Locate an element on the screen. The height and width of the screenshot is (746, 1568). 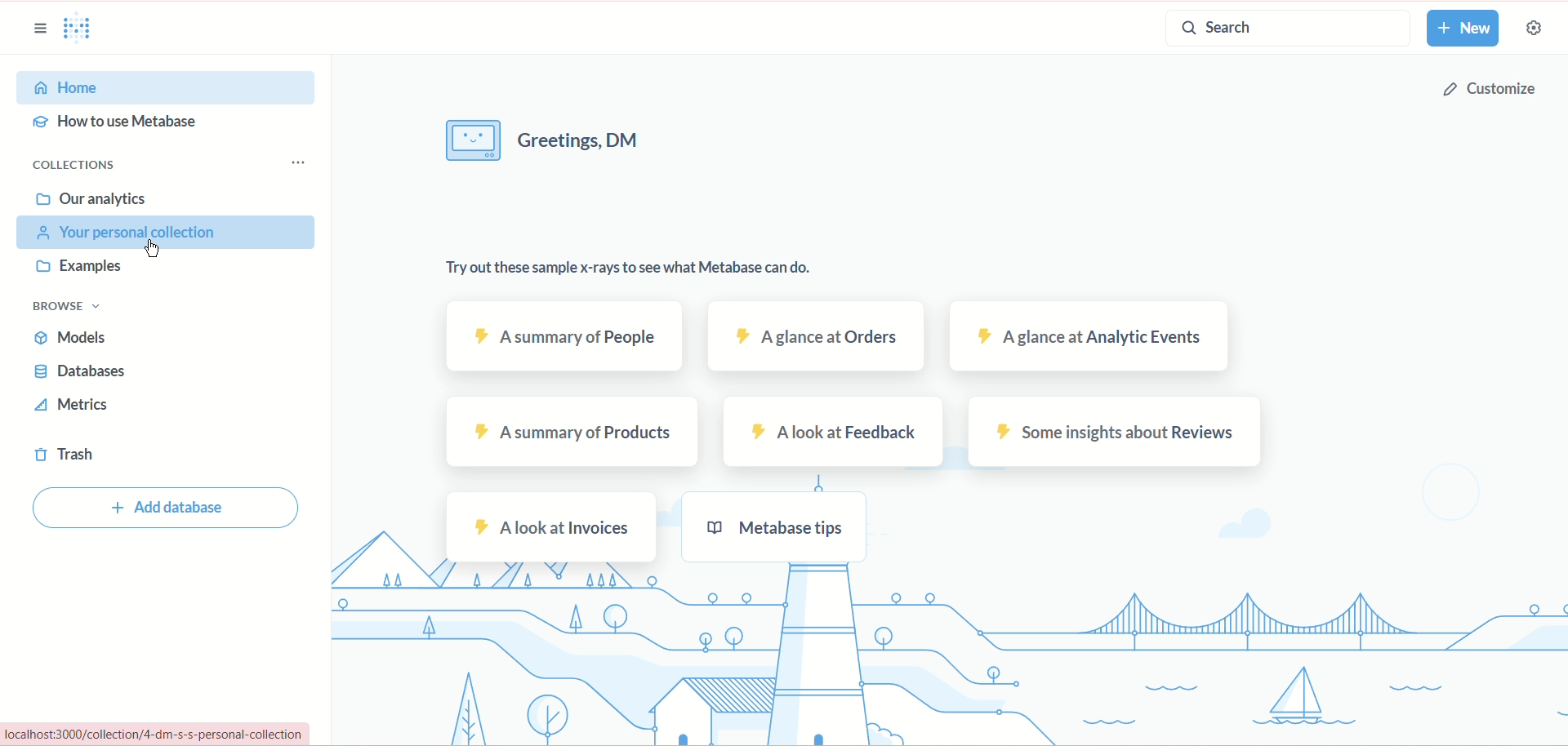
your personal collection is located at coordinates (165, 233).